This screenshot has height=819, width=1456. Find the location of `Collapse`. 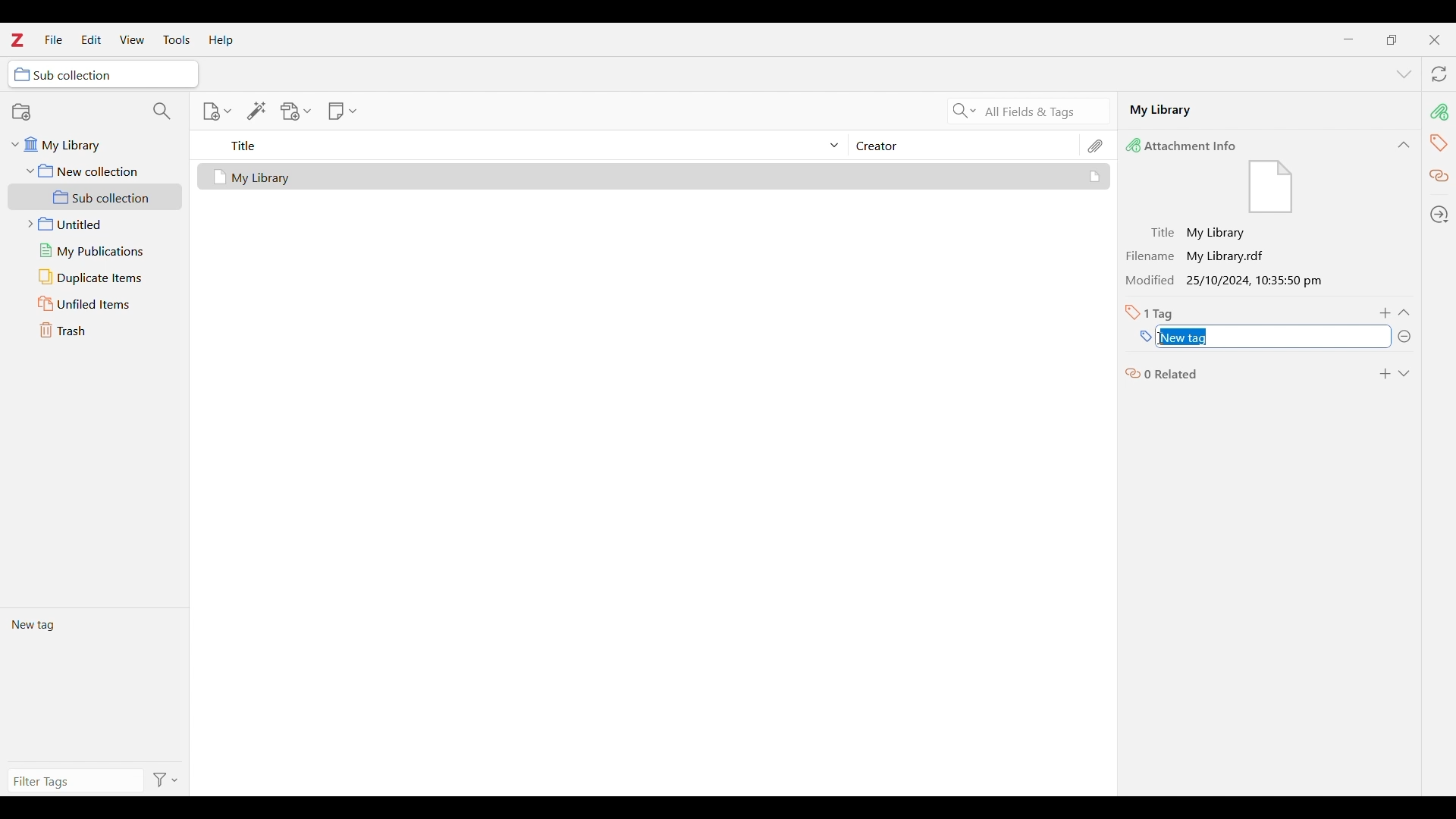

Collapse is located at coordinates (1404, 145).